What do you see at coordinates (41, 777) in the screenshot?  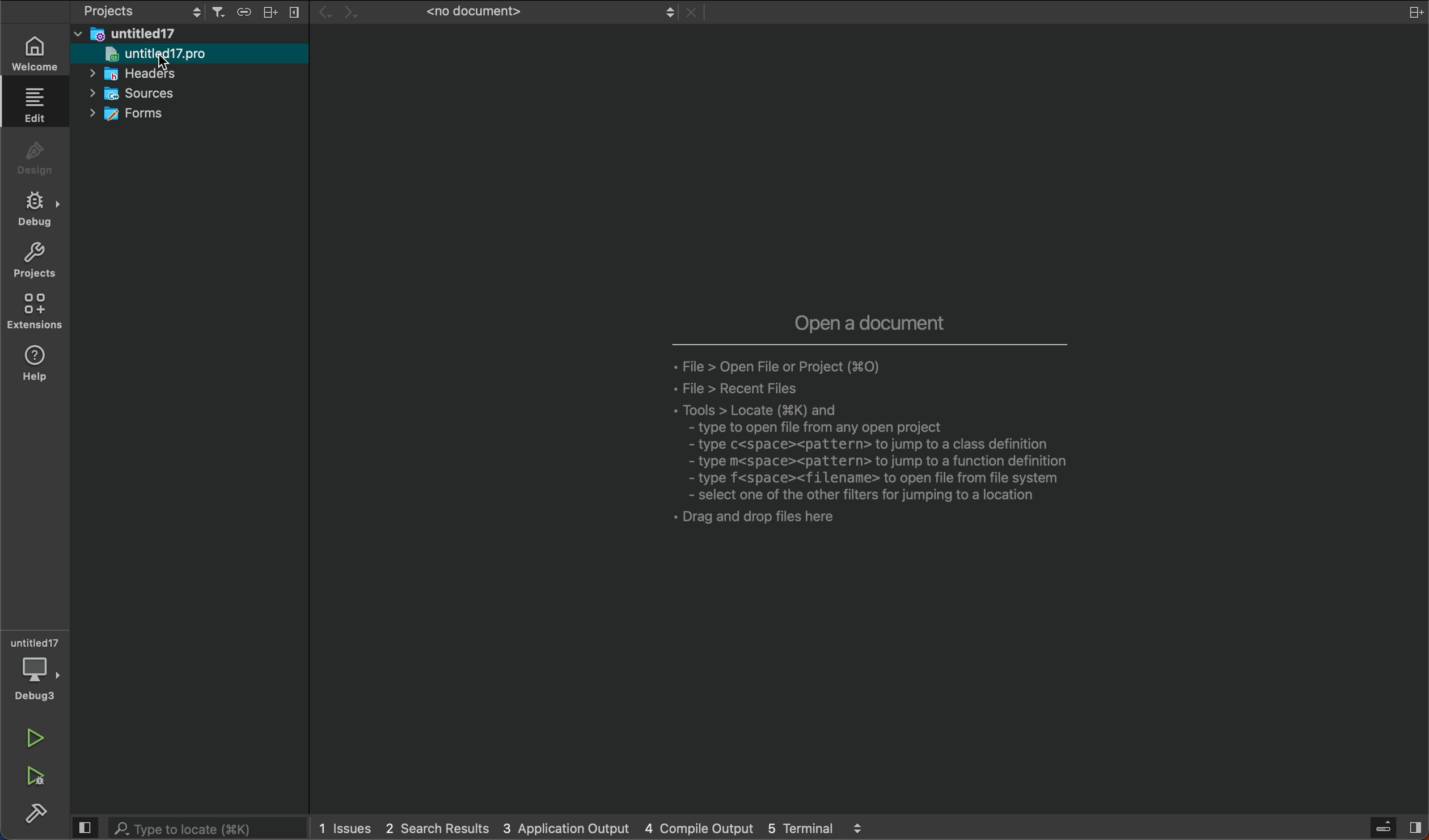 I see `run and debug` at bounding box center [41, 777].